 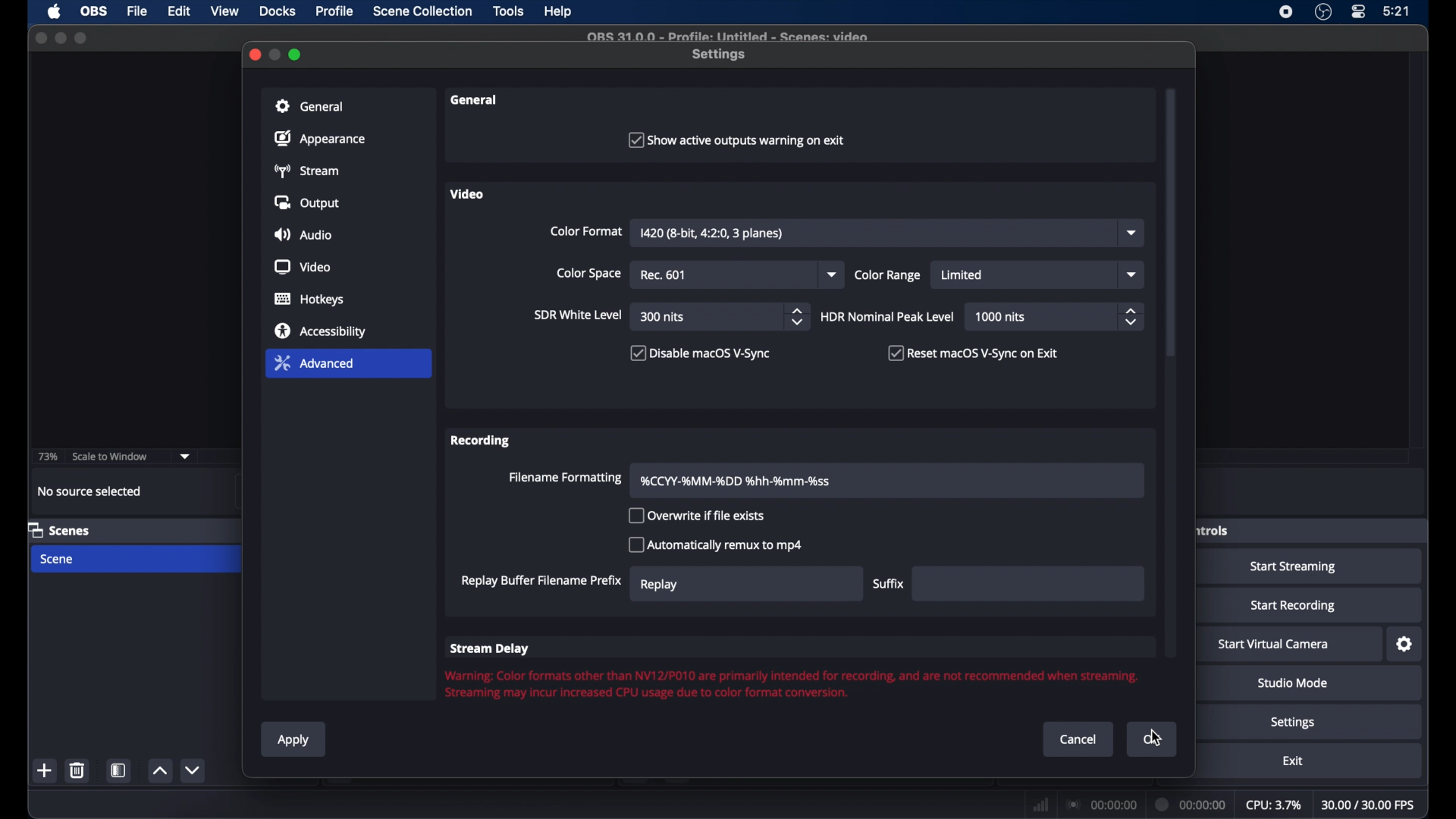 I want to click on rec 709, so click(x=664, y=275).